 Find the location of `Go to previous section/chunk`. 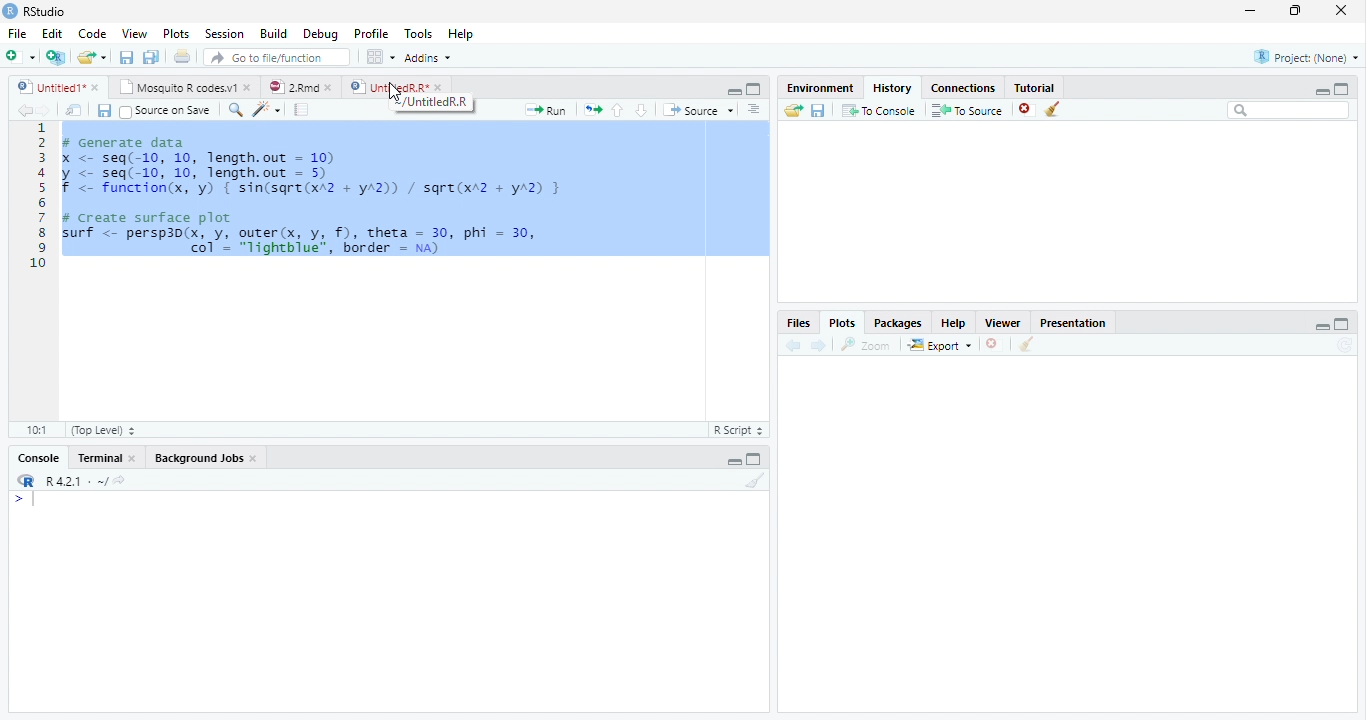

Go to previous section/chunk is located at coordinates (617, 110).